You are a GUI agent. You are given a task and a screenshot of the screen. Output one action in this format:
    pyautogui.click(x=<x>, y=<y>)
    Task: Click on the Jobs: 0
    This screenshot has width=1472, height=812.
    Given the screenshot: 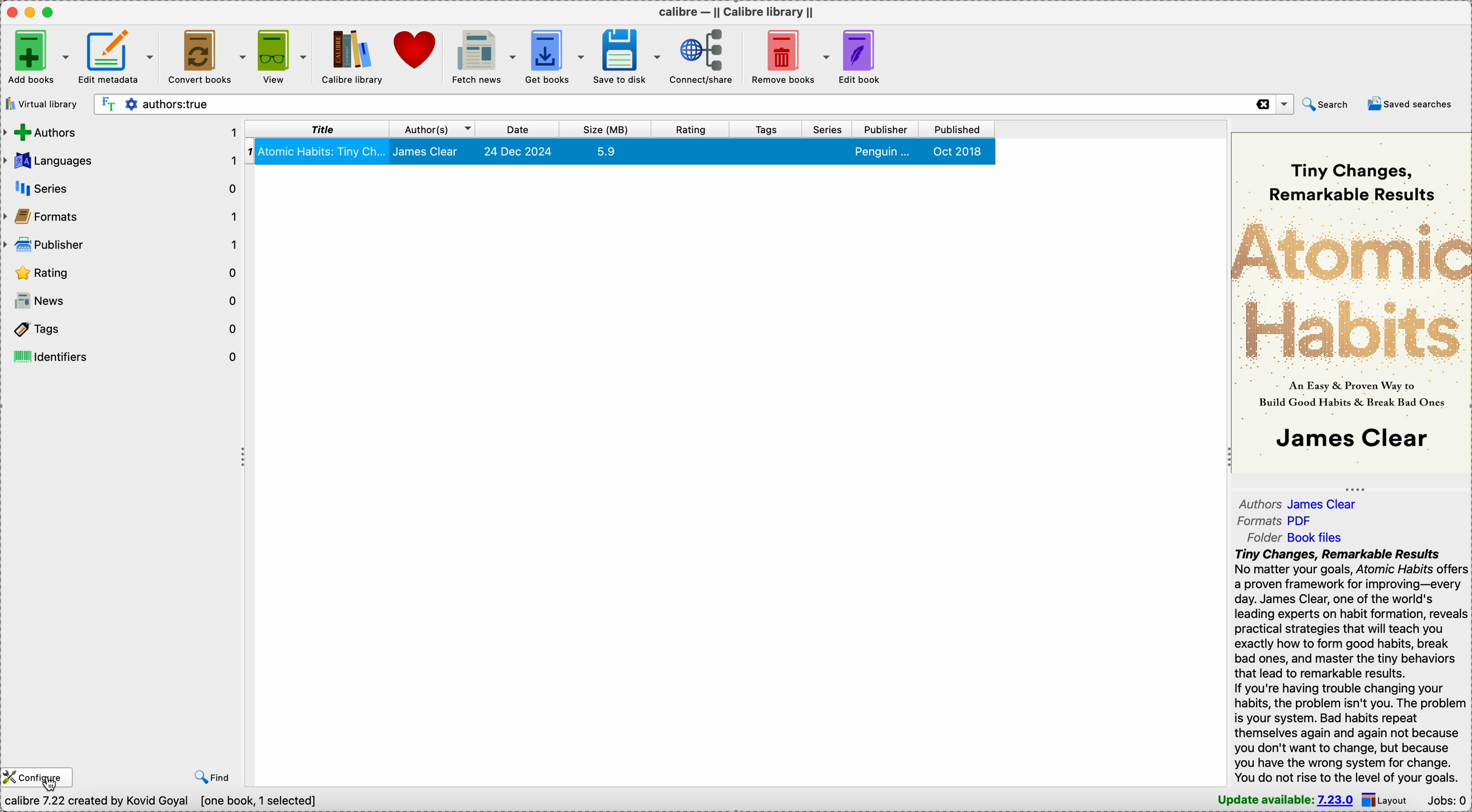 What is the action you would take?
    pyautogui.click(x=1446, y=801)
    